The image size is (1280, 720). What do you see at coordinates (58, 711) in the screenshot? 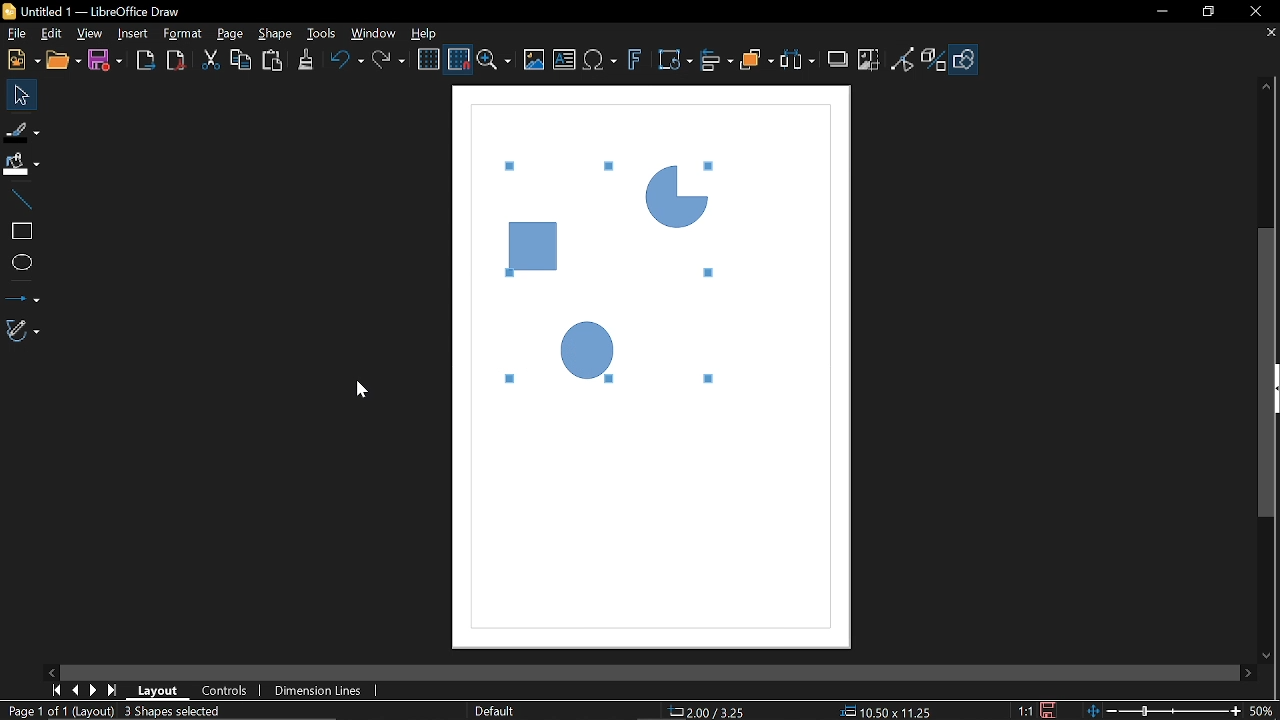
I see `Current page` at bounding box center [58, 711].